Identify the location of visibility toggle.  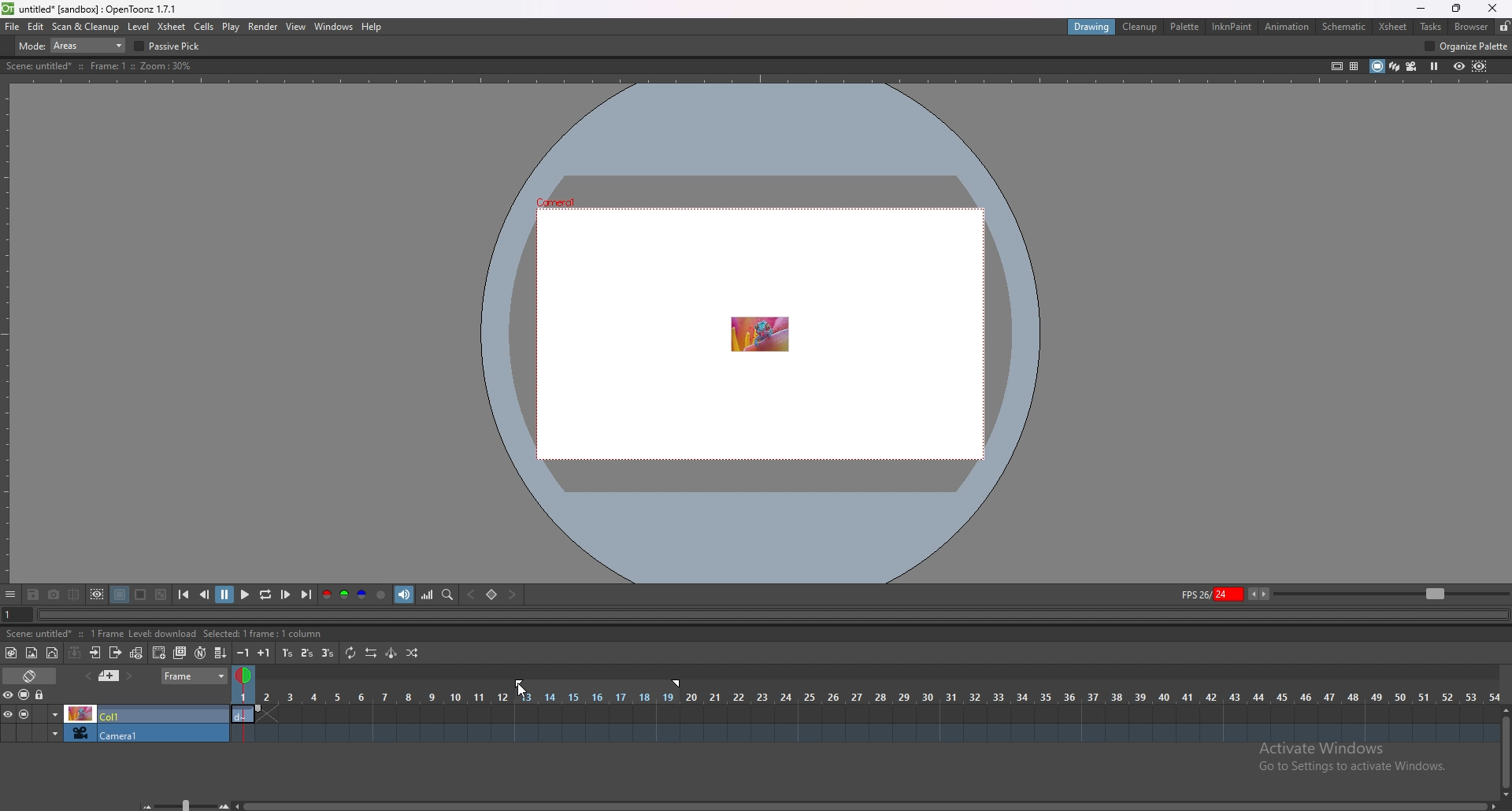
(12, 695).